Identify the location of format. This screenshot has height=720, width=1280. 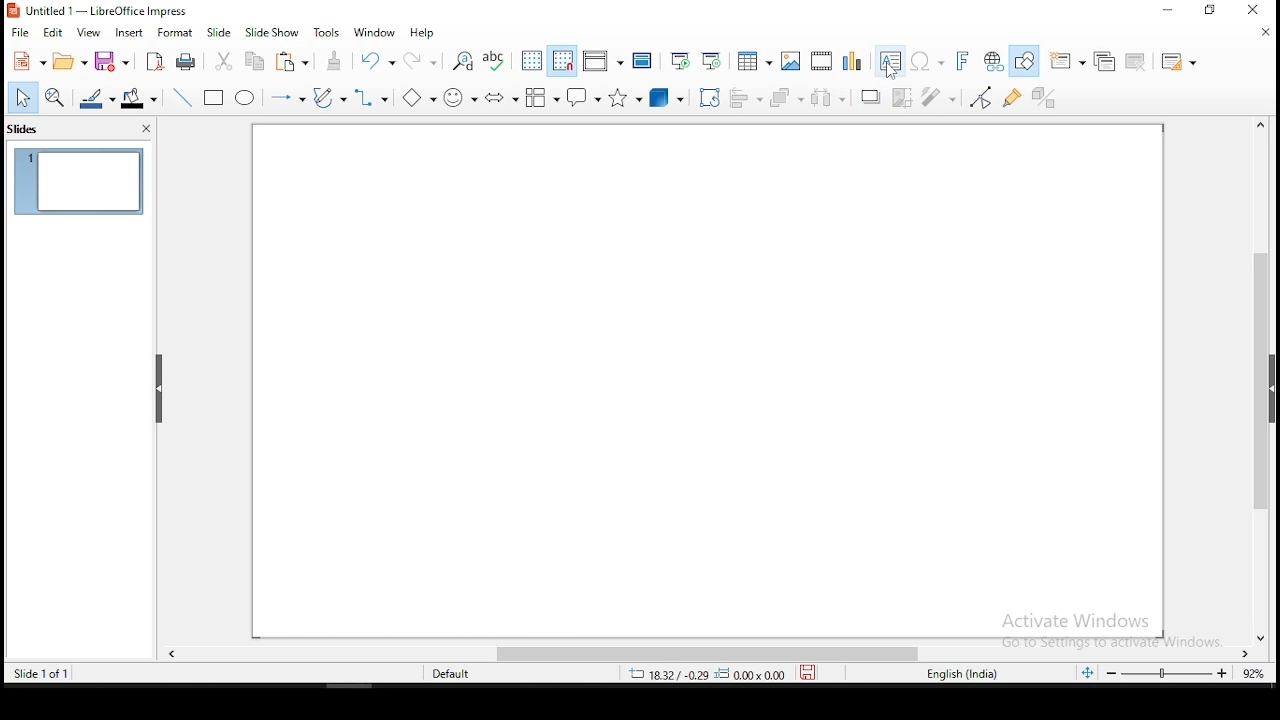
(176, 32).